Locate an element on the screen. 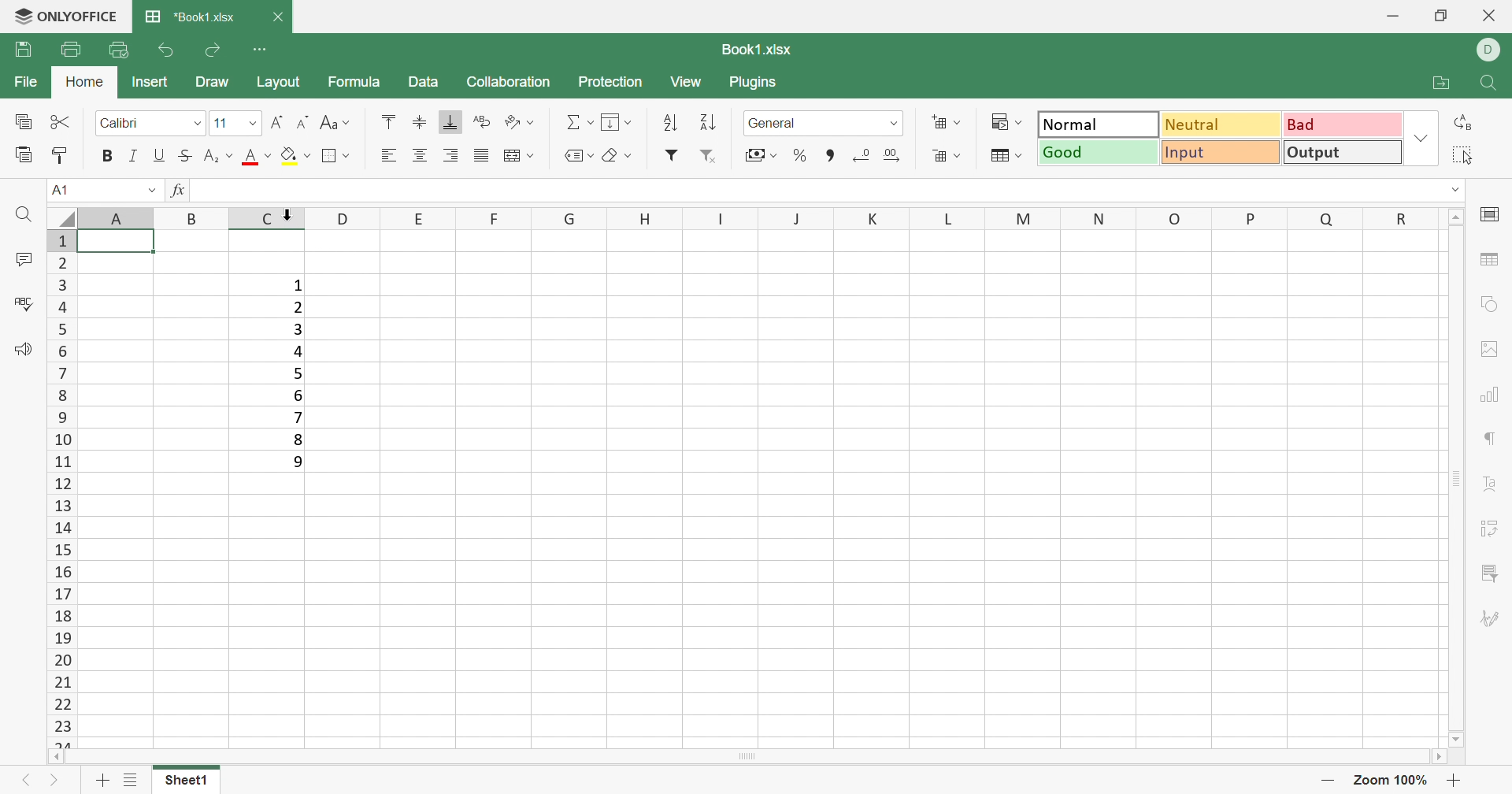 The width and height of the screenshot is (1512, 794). Text Art settings is located at coordinates (1492, 486).